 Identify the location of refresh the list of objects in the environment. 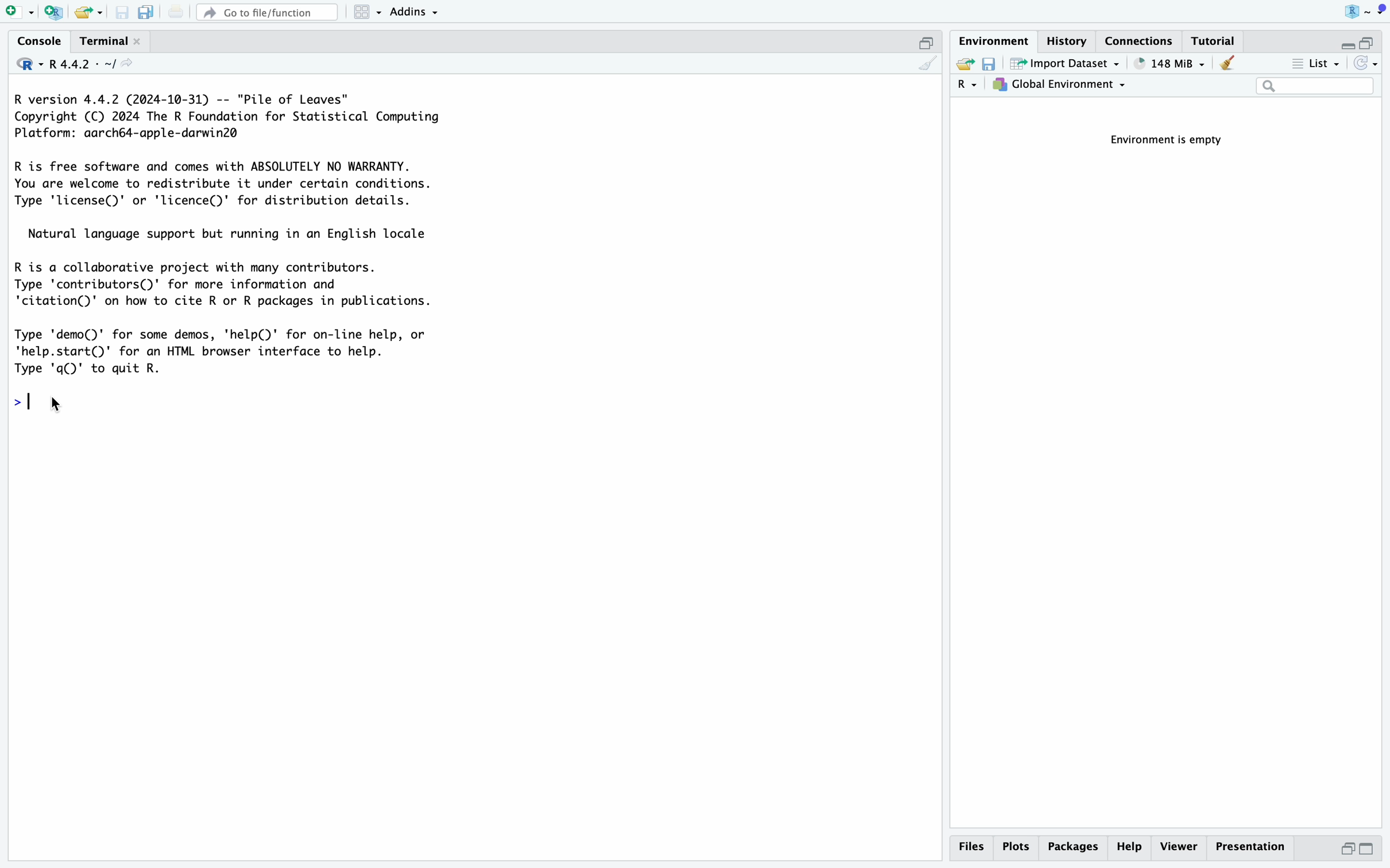
(1368, 65).